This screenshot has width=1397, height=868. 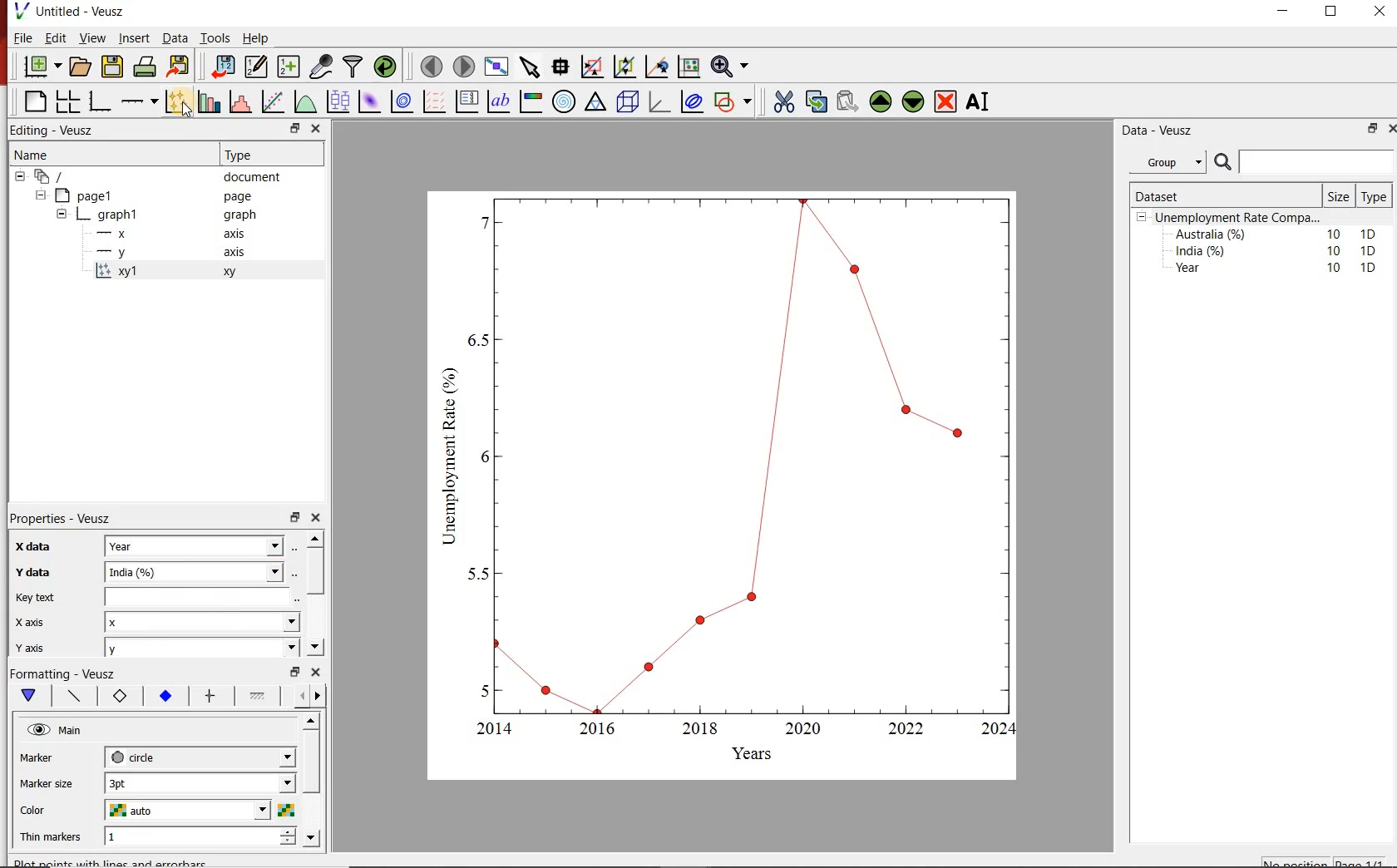 I want to click on move to next page, so click(x=465, y=67).